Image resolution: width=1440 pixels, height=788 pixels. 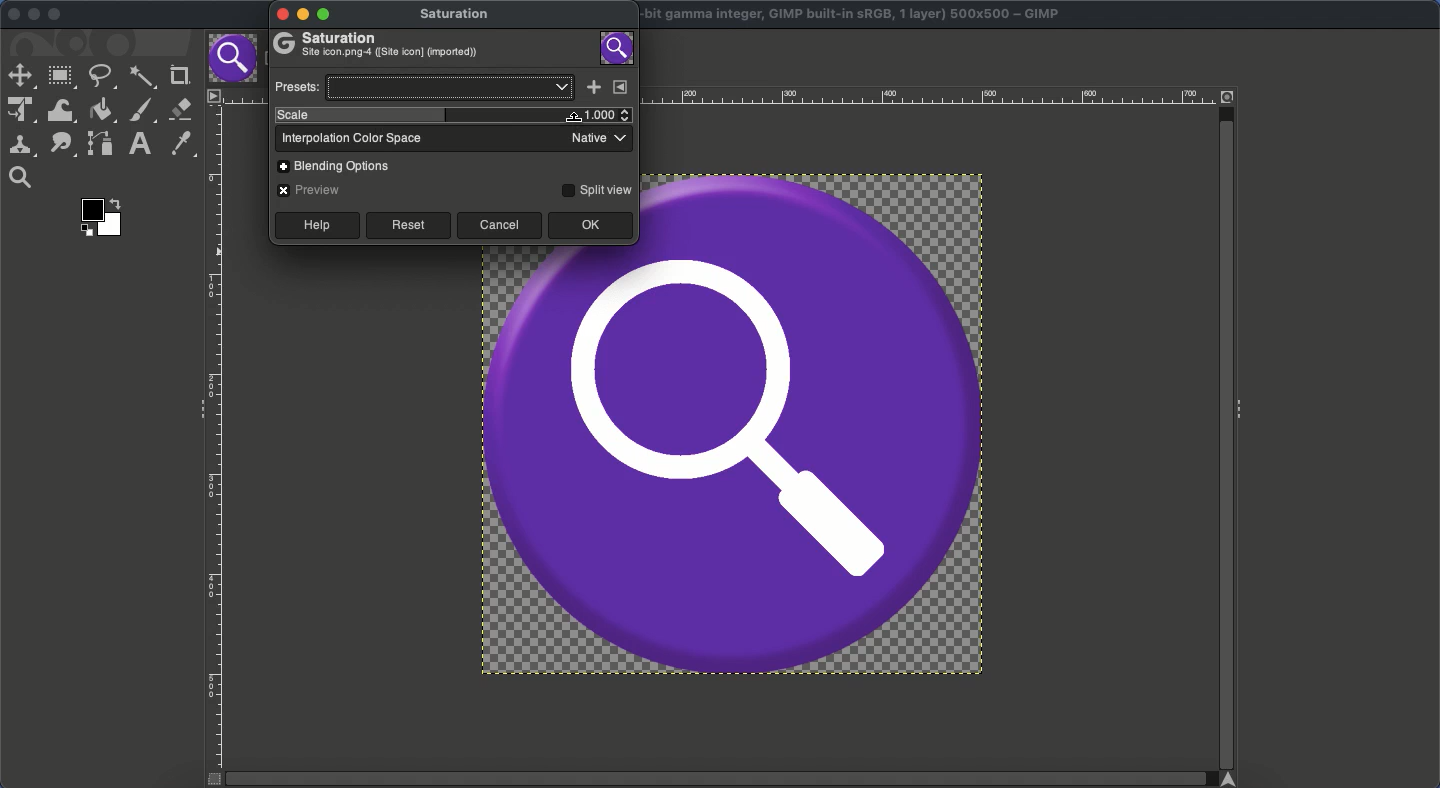 What do you see at coordinates (21, 147) in the screenshot?
I see `Clone tool` at bounding box center [21, 147].